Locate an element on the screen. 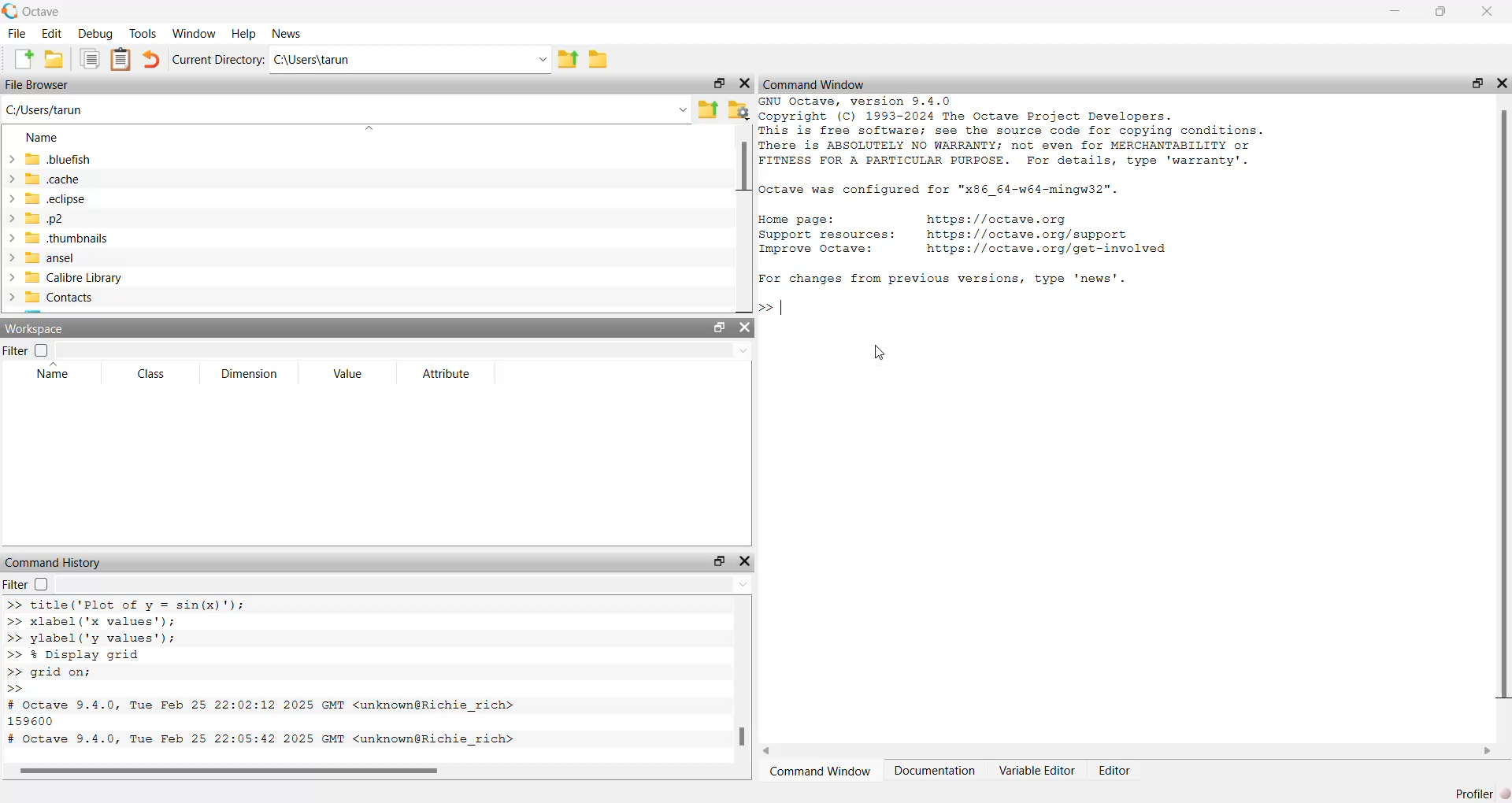  >> title('Plot of v = sin(x)"); is located at coordinates (127, 604).